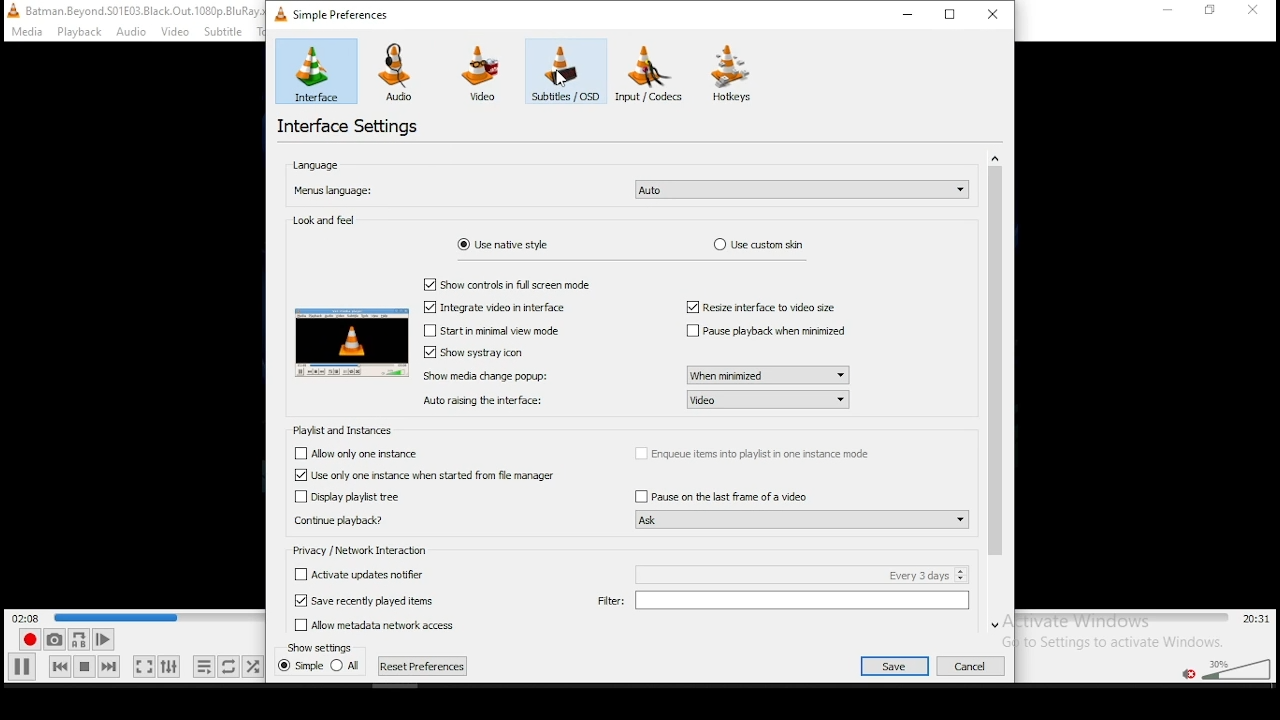 The height and width of the screenshot is (720, 1280). What do you see at coordinates (1167, 14) in the screenshot?
I see `` at bounding box center [1167, 14].